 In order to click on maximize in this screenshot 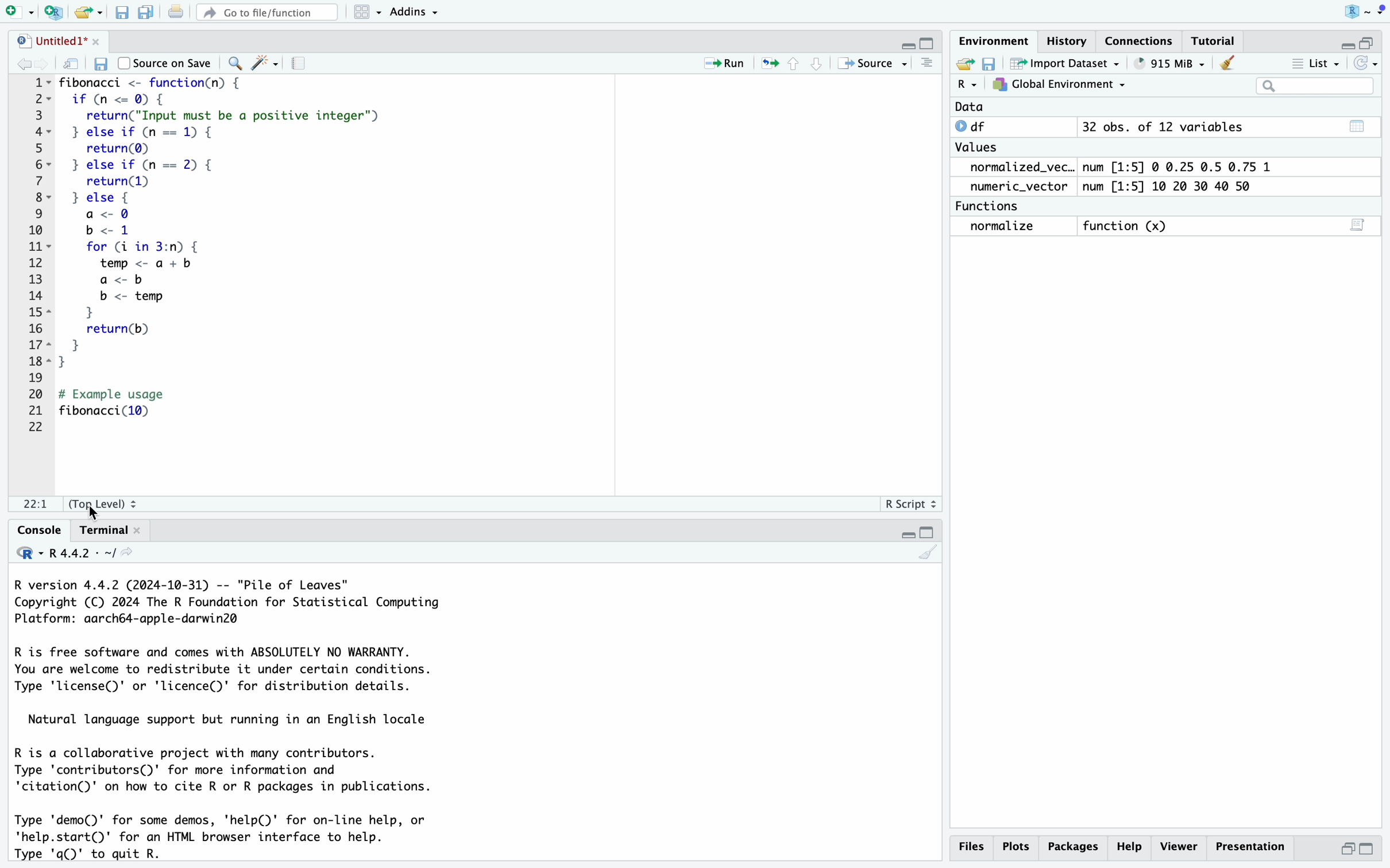, I will do `click(932, 38)`.